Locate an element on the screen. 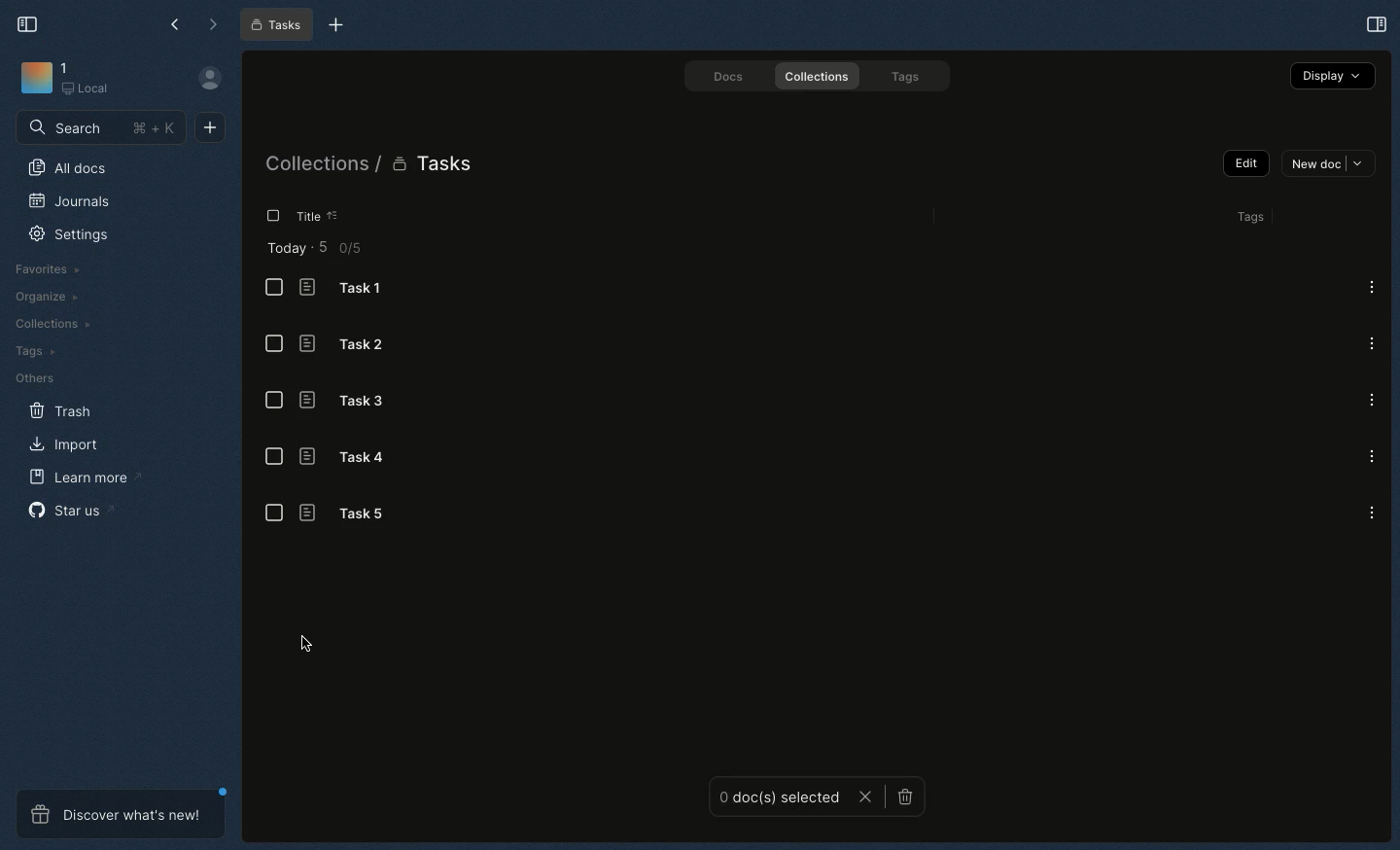  Collapse sidebar is located at coordinates (29, 24).